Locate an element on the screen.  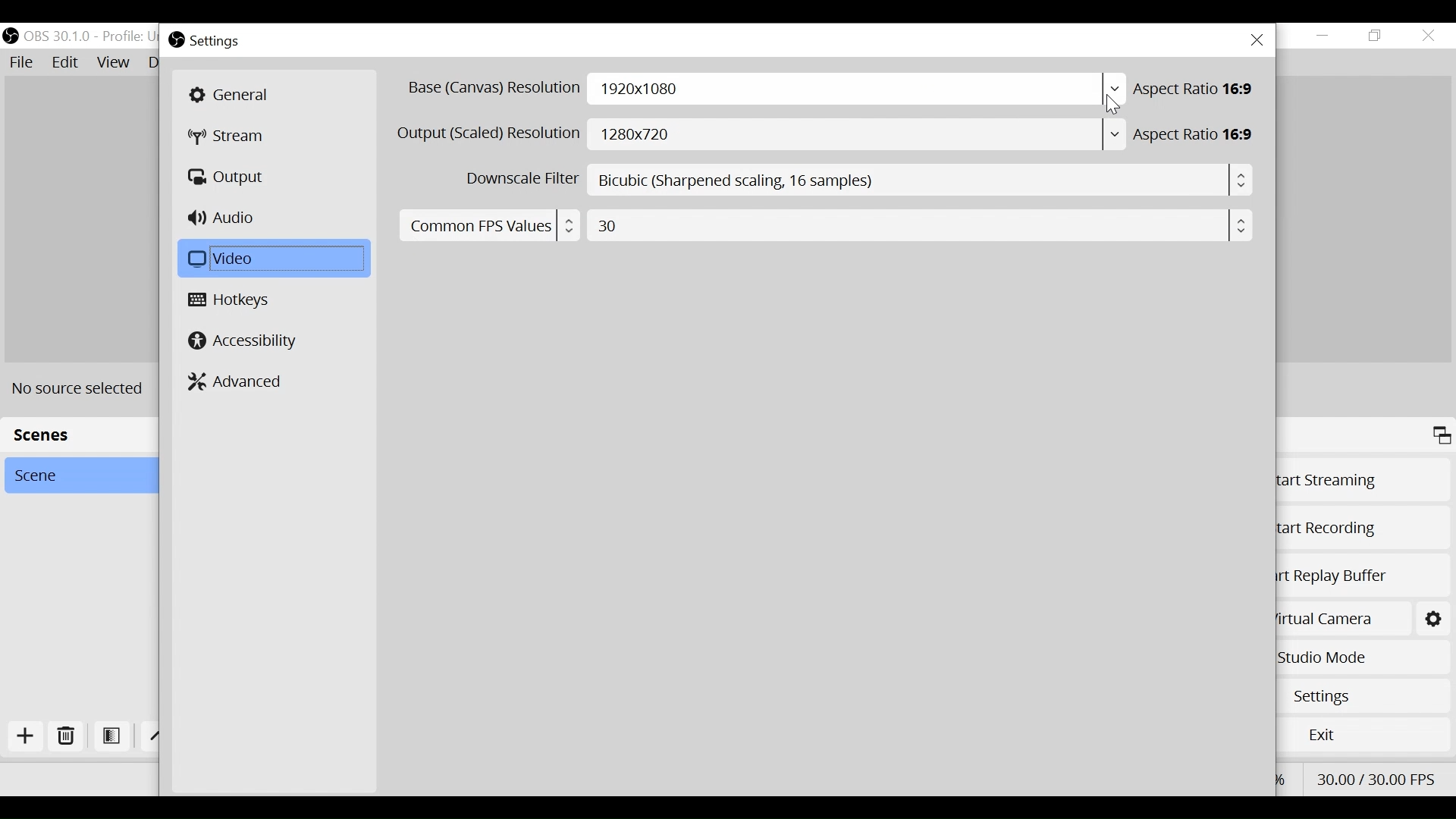
Add Scene is located at coordinates (30, 739).